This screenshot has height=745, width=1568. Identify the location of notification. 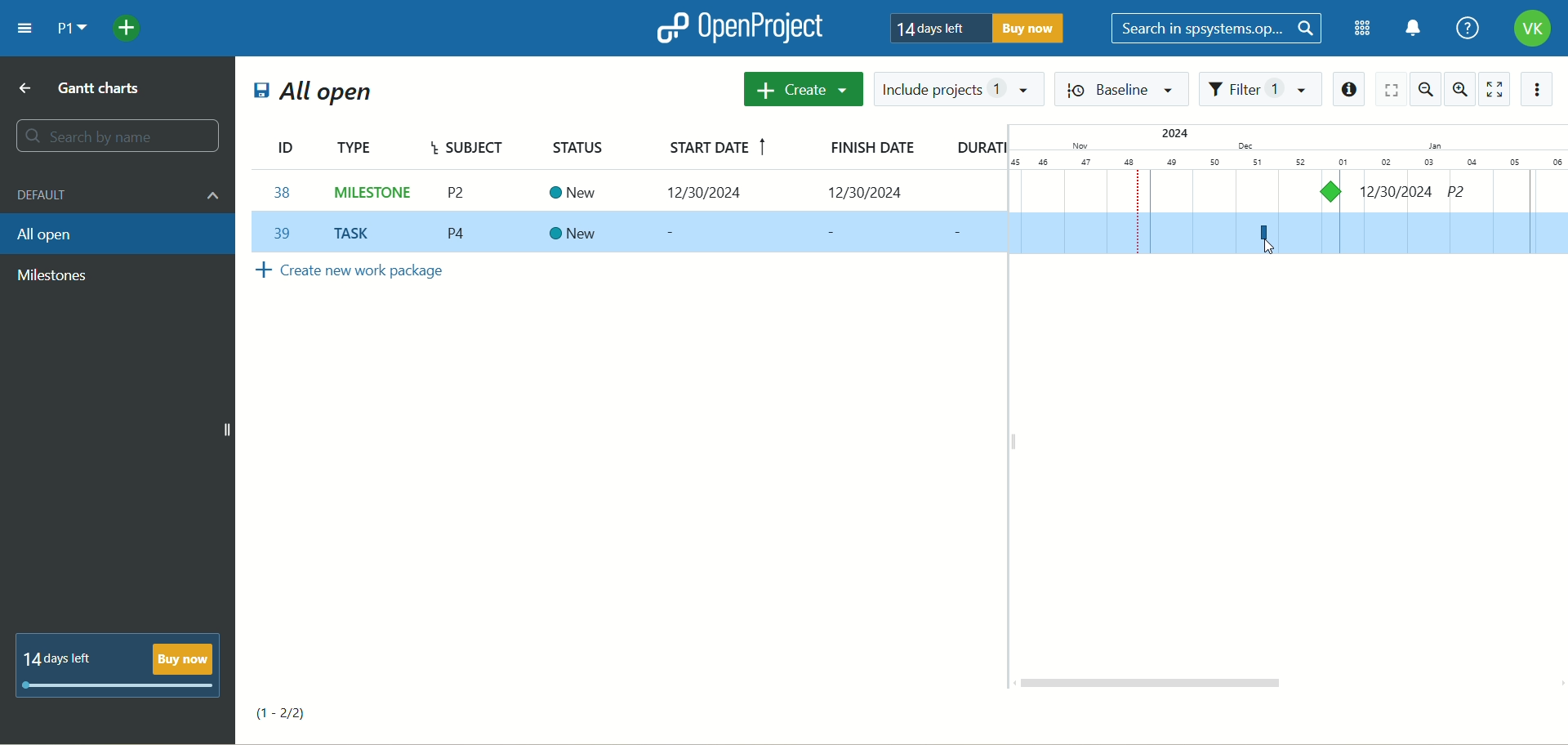
(1412, 29).